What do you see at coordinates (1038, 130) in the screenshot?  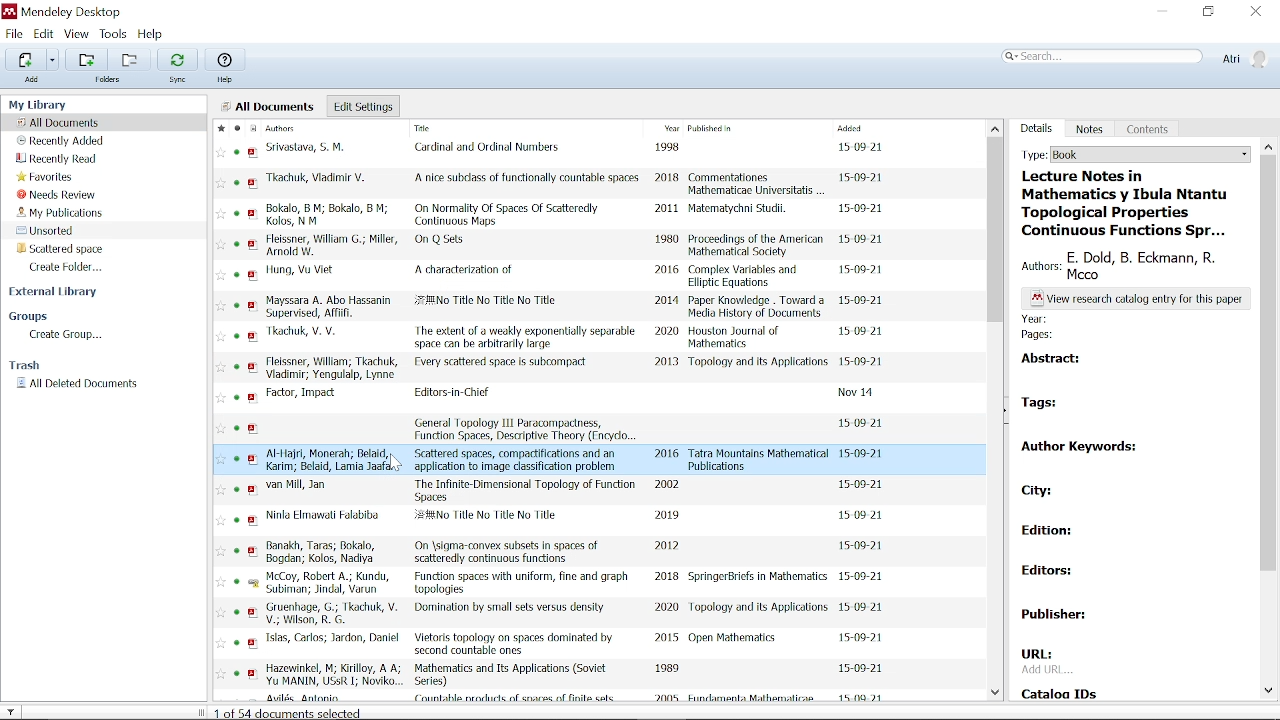 I see `` at bounding box center [1038, 130].